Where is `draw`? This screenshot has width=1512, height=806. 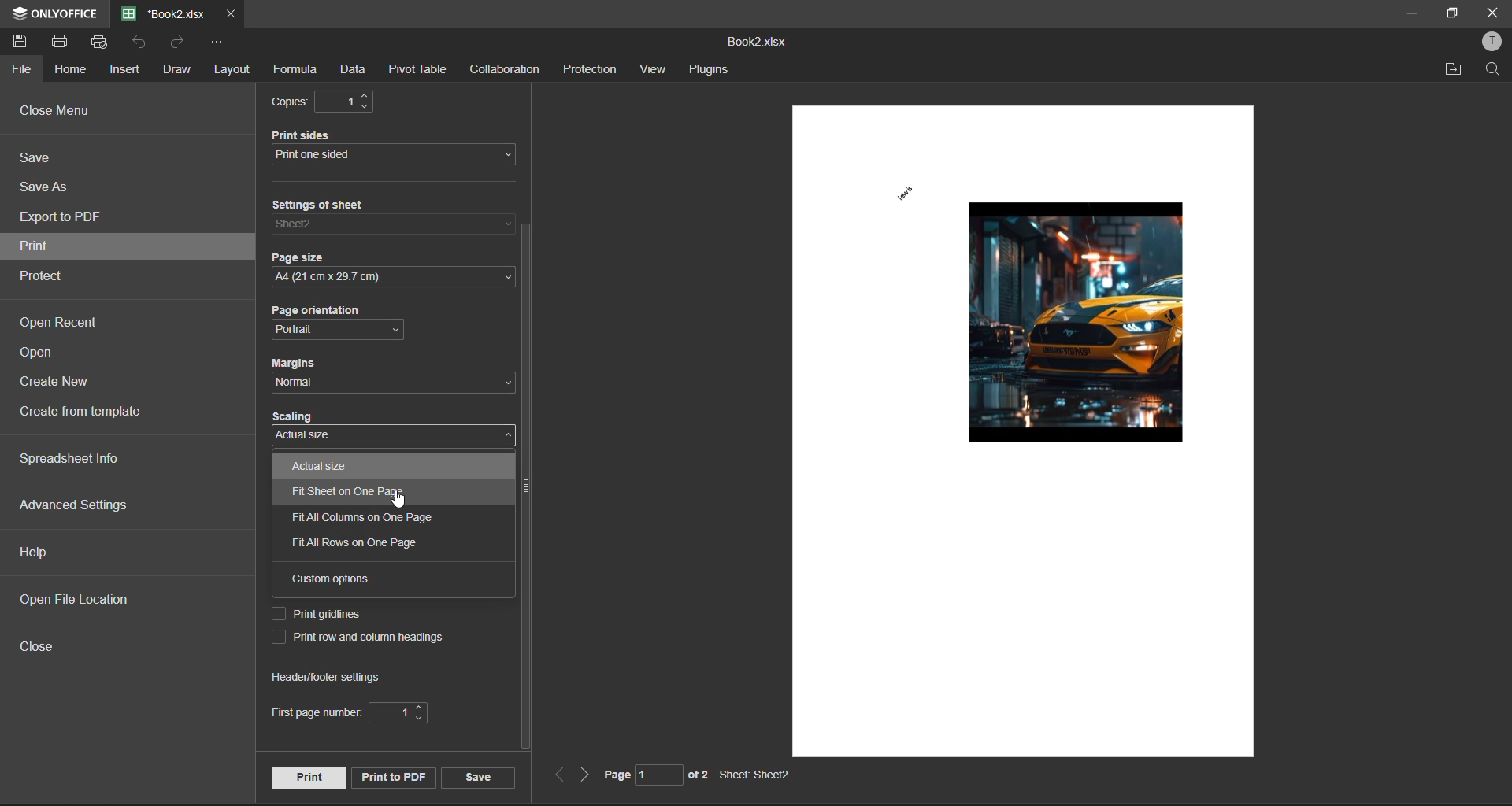
draw is located at coordinates (177, 70).